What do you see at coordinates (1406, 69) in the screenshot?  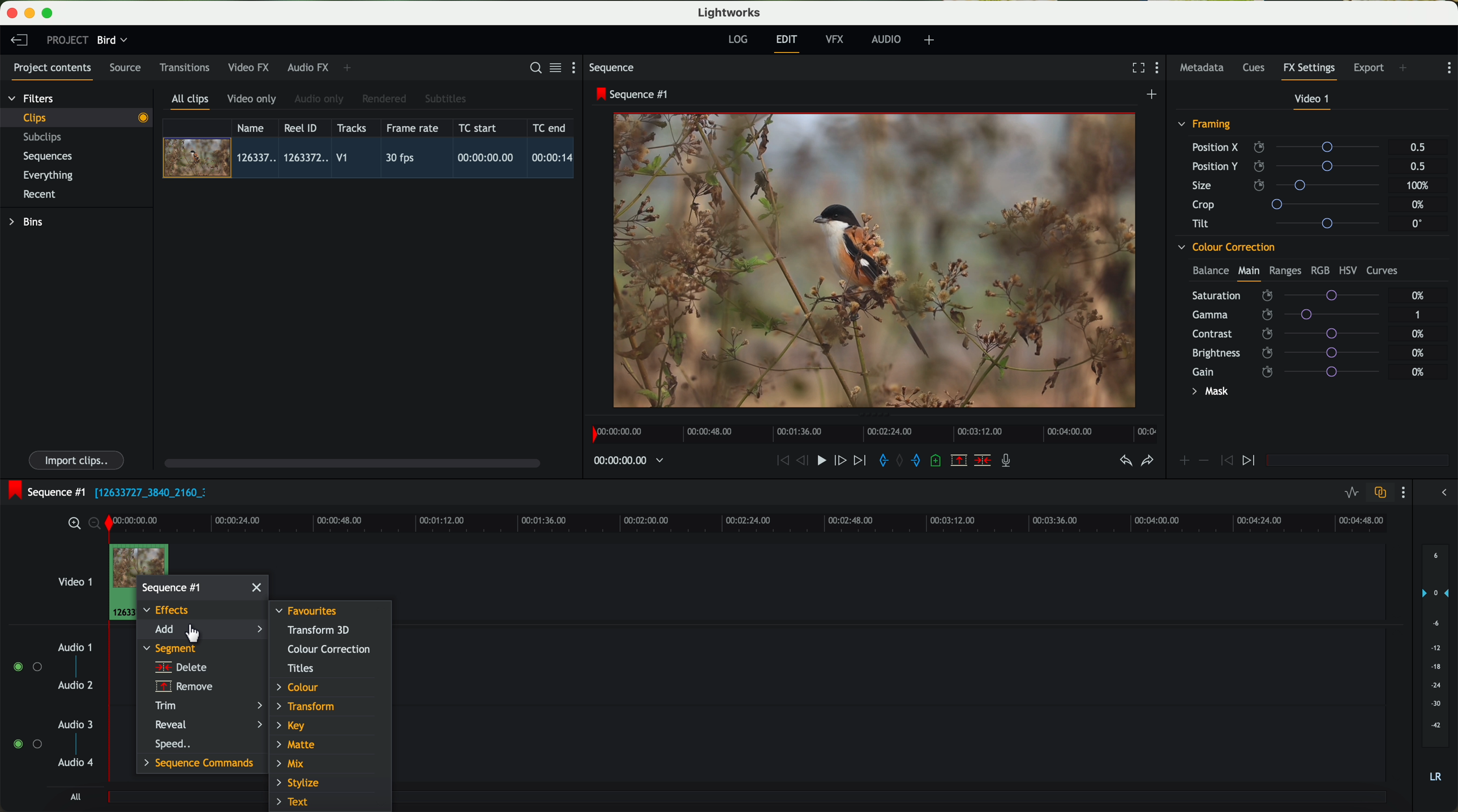 I see `add panel` at bounding box center [1406, 69].